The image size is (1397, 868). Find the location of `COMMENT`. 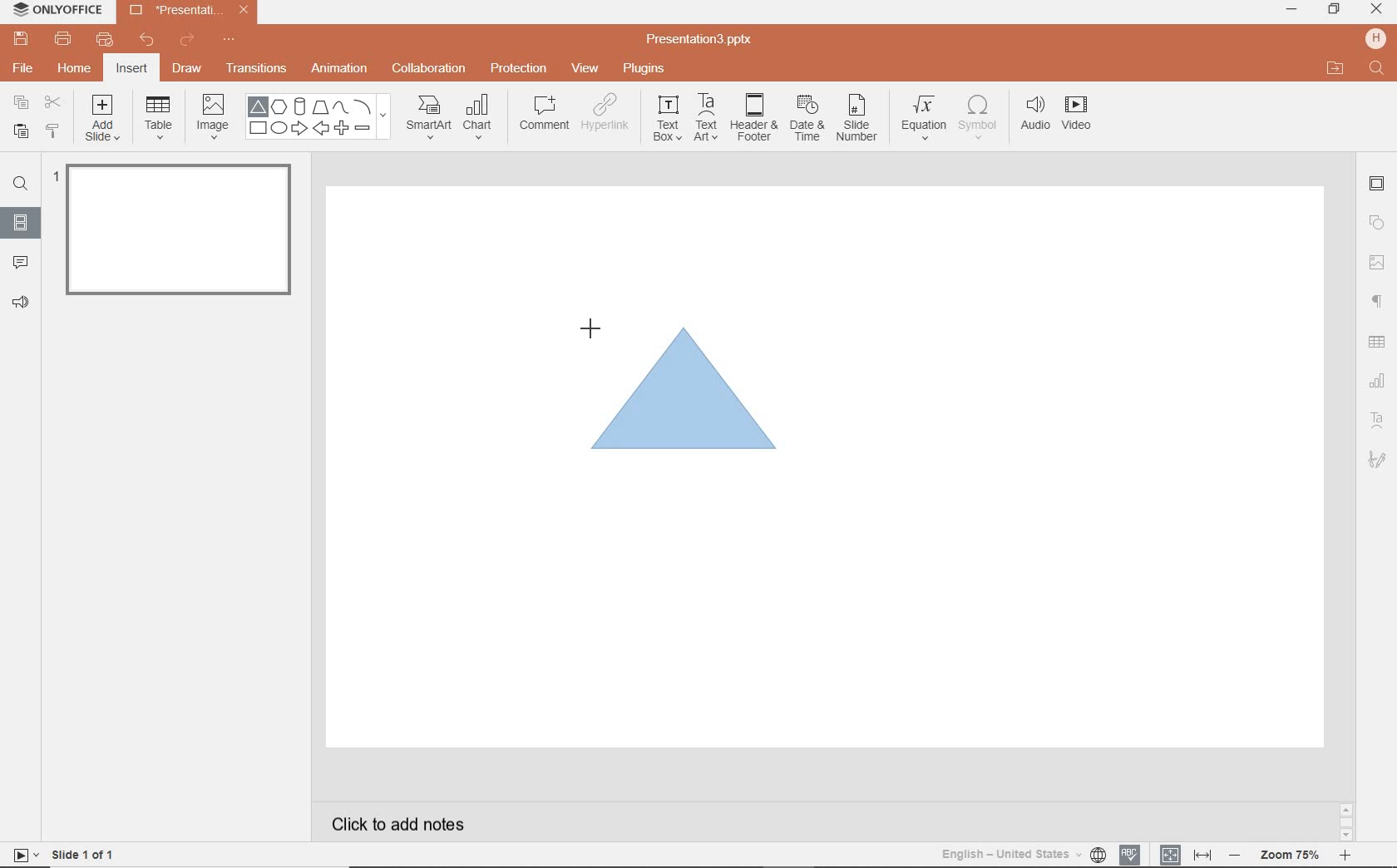

COMMENT is located at coordinates (543, 117).